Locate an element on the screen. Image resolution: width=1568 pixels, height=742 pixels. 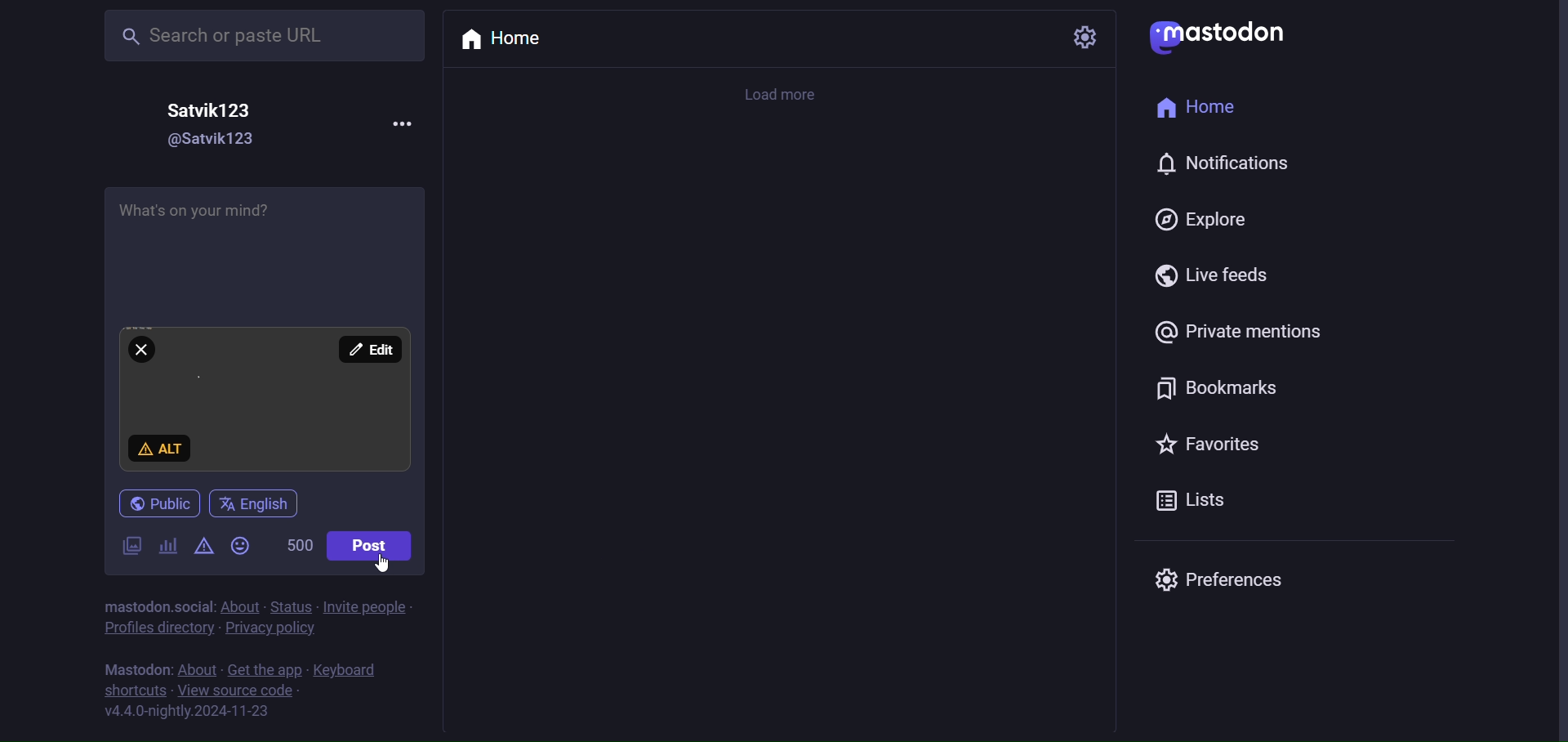
favorites is located at coordinates (1204, 444).